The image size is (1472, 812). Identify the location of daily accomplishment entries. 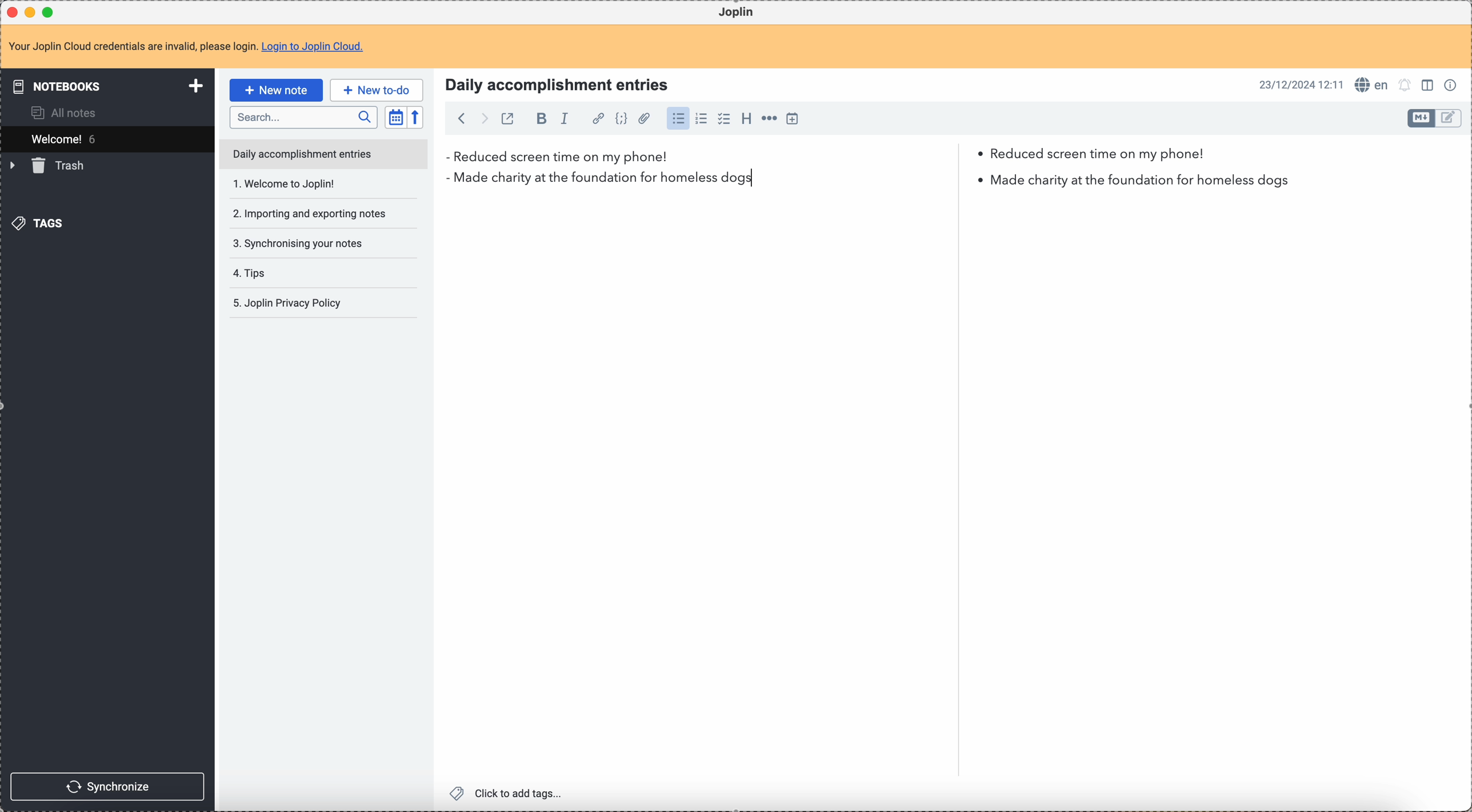
(301, 153).